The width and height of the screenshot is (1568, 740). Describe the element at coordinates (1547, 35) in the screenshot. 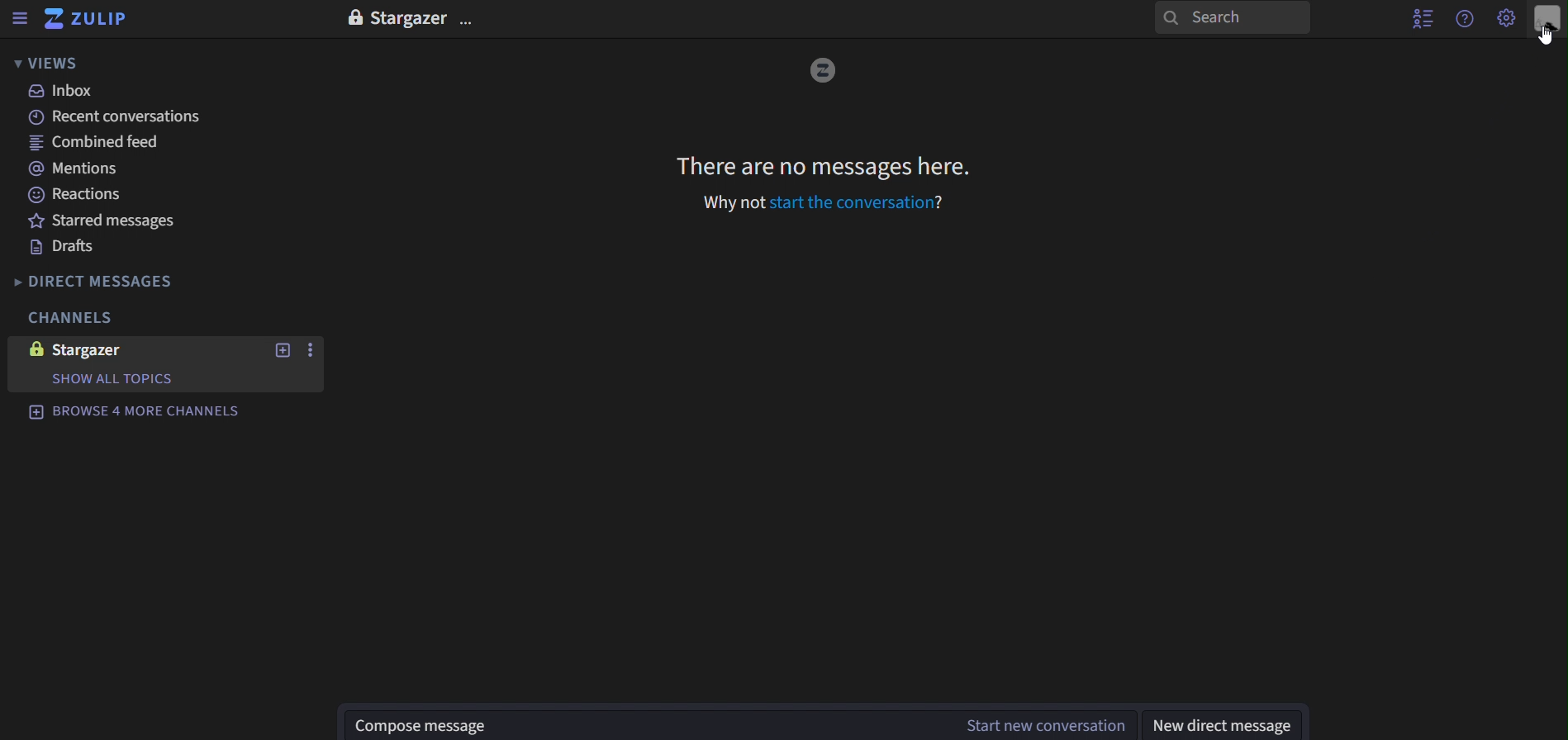

I see `cursor` at that location.